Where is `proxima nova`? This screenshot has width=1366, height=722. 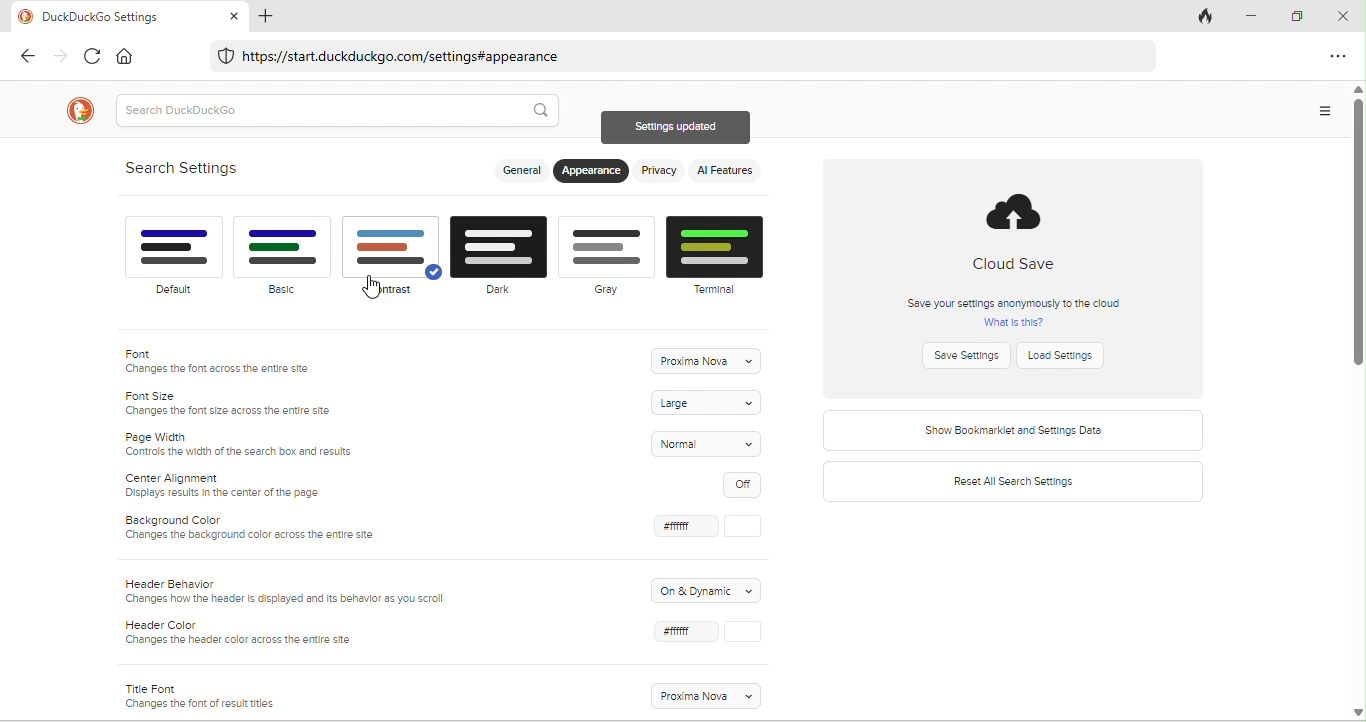 proxima nova is located at coordinates (707, 695).